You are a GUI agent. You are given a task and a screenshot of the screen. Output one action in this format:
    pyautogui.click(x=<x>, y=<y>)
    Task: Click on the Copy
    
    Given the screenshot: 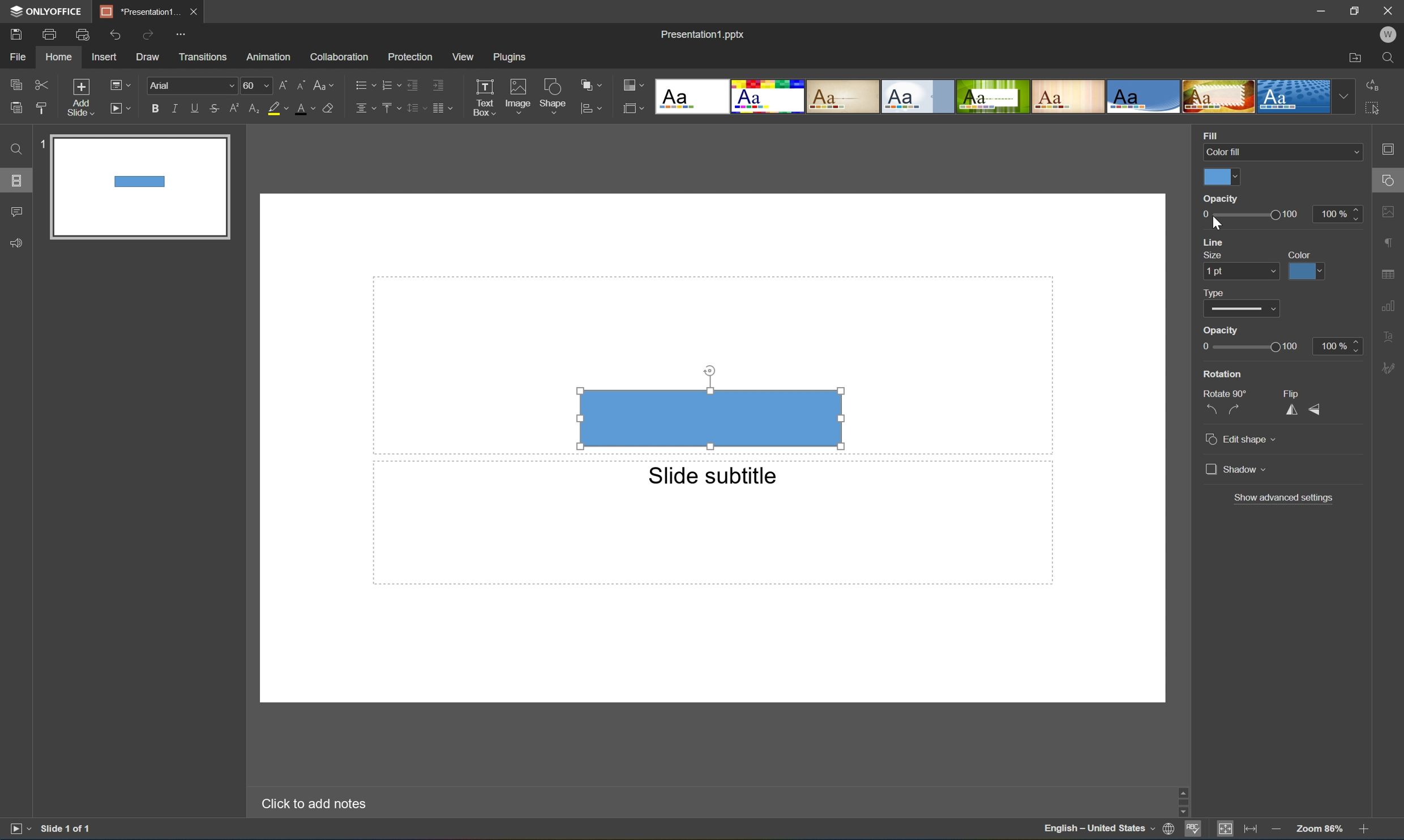 What is the action you would take?
    pyautogui.click(x=17, y=82)
    